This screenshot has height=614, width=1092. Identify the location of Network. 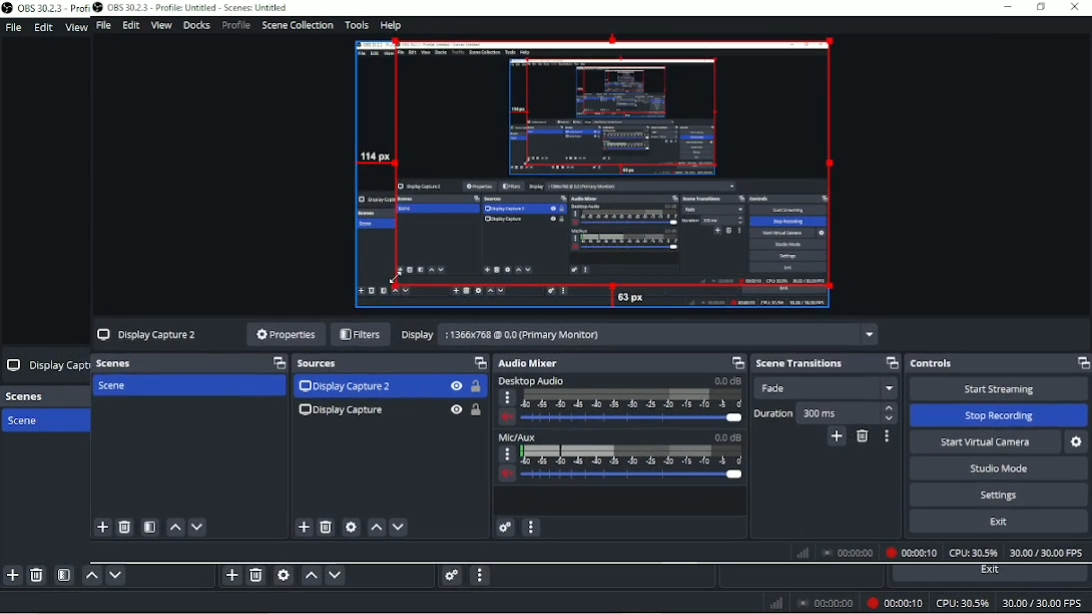
(804, 552).